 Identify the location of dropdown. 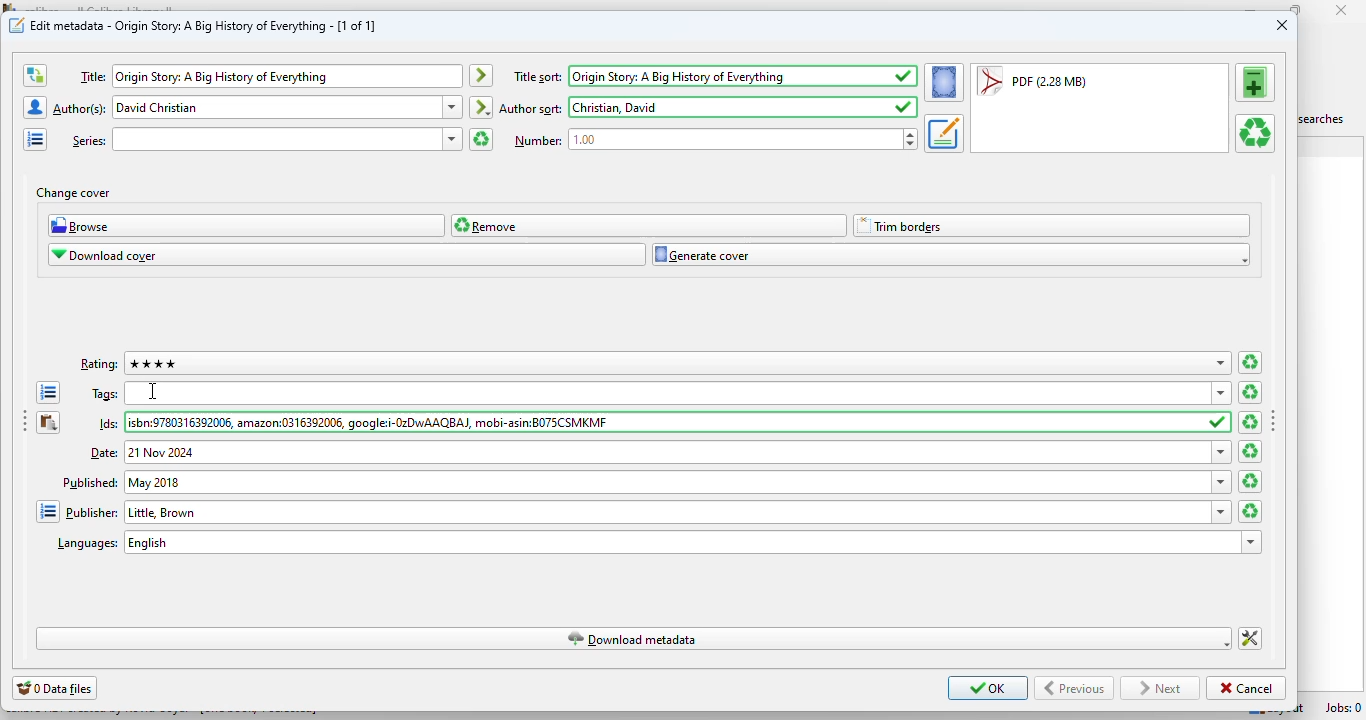
(1222, 393).